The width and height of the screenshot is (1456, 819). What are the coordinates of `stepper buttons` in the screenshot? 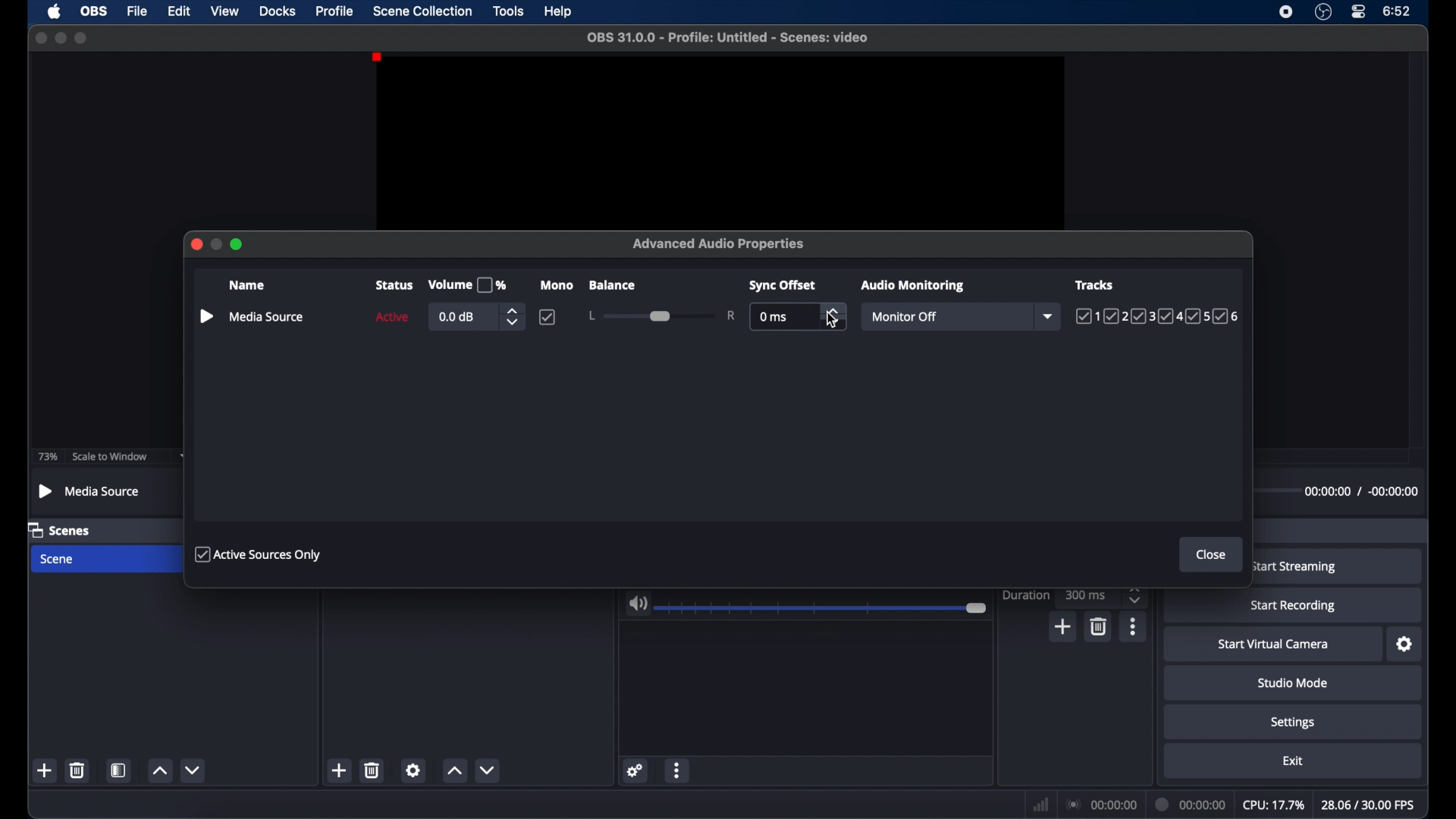 It's located at (1136, 595).